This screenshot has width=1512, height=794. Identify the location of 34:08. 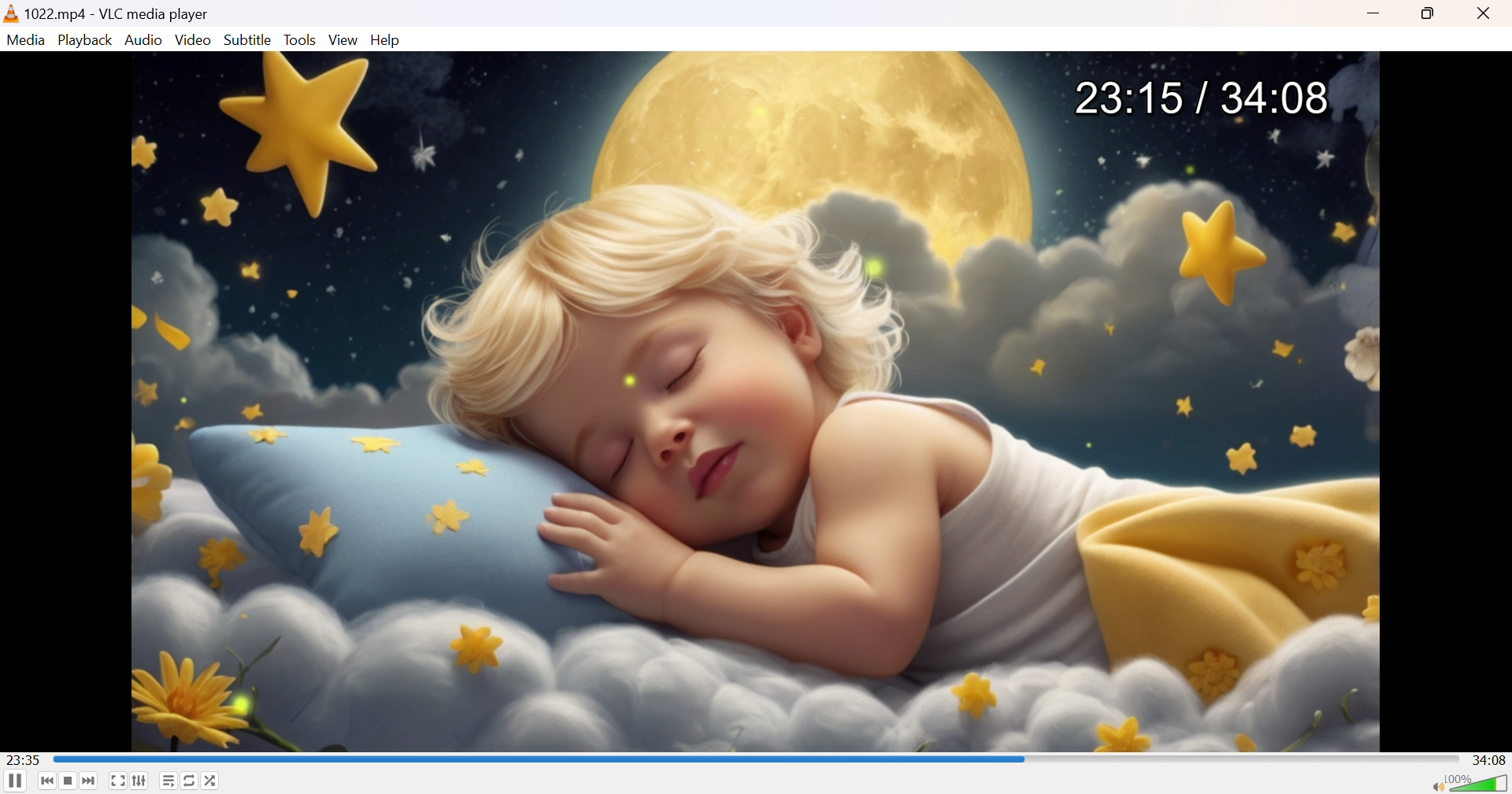
(1489, 759).